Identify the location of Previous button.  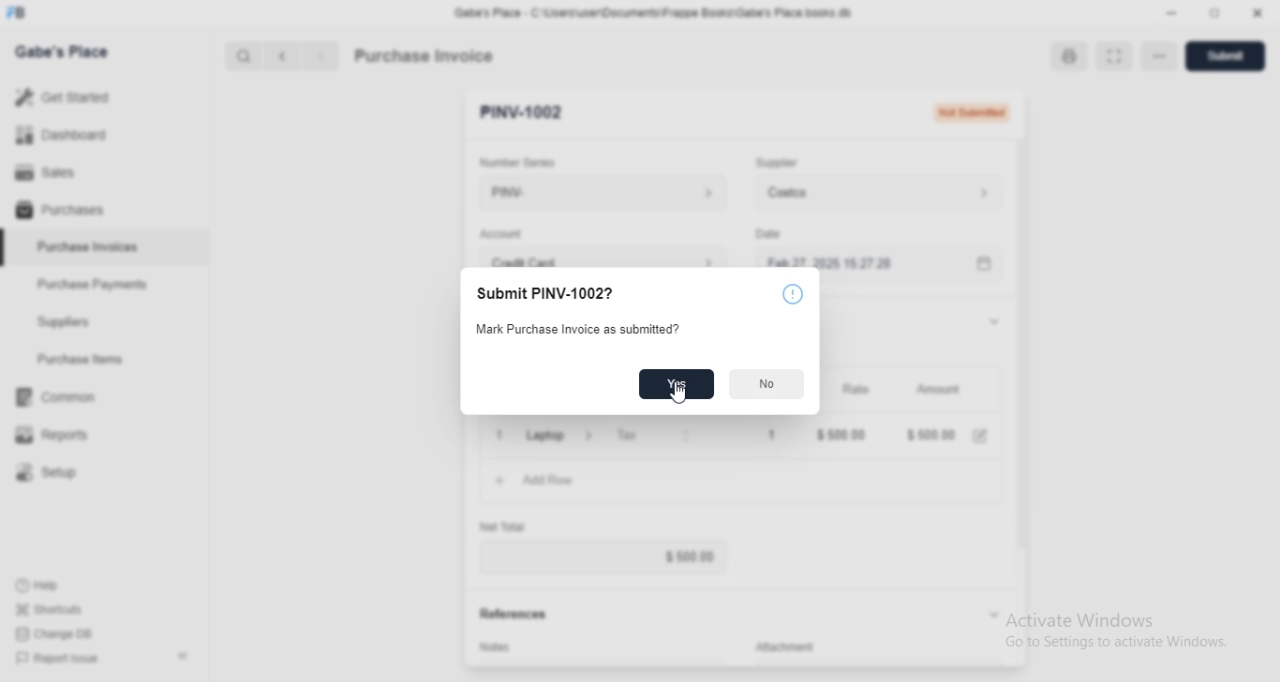
(283, 56).